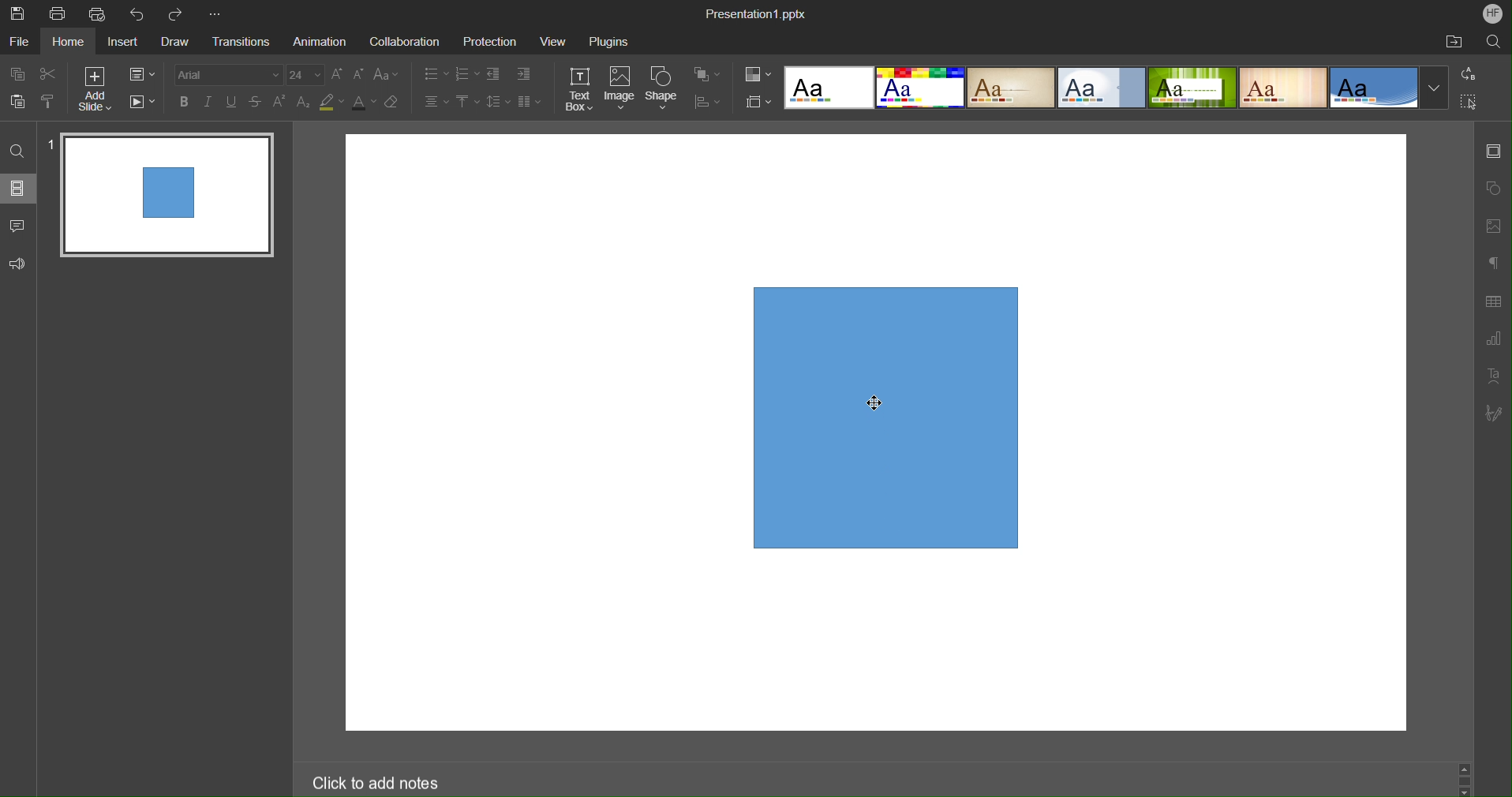  Describe the element at coordinates (758, 13) in the screenshot. I see `Presentation Name` at that location.